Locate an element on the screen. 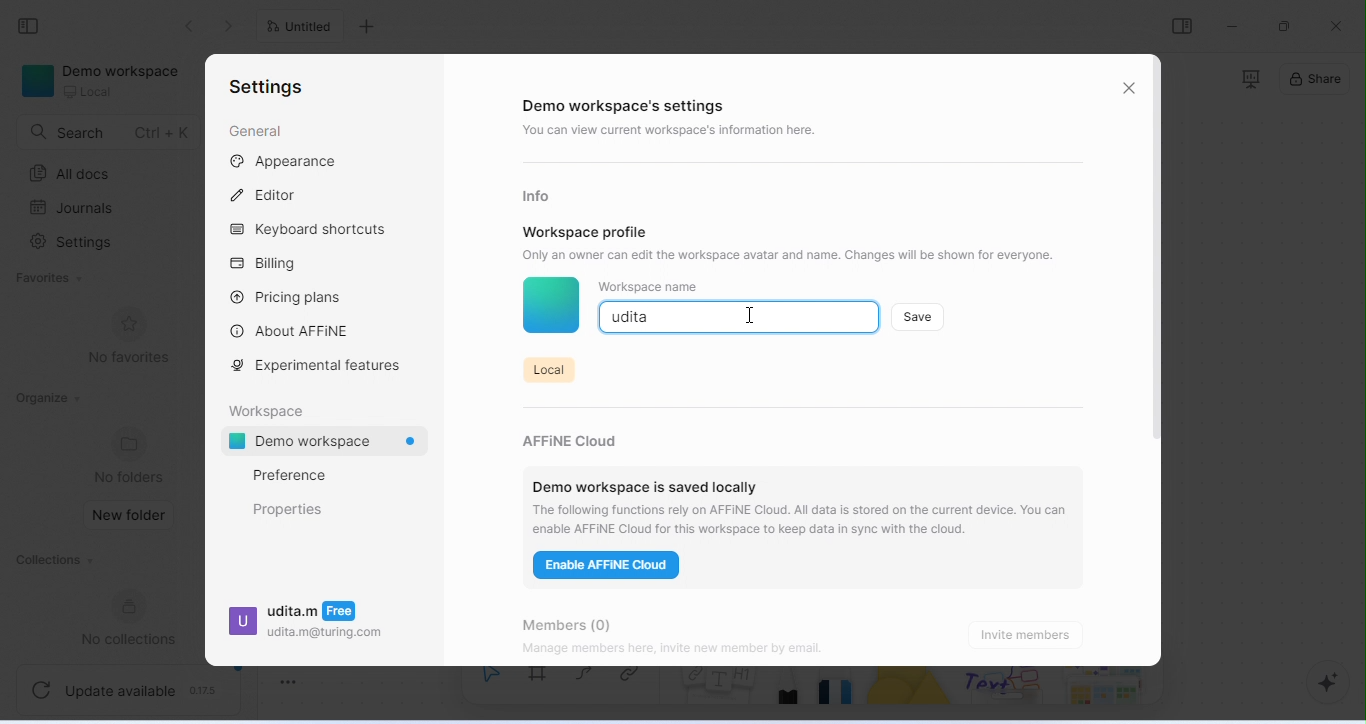 The image size is (1366, 724). keyboard shortcuts is located at coordinates (313, 231).